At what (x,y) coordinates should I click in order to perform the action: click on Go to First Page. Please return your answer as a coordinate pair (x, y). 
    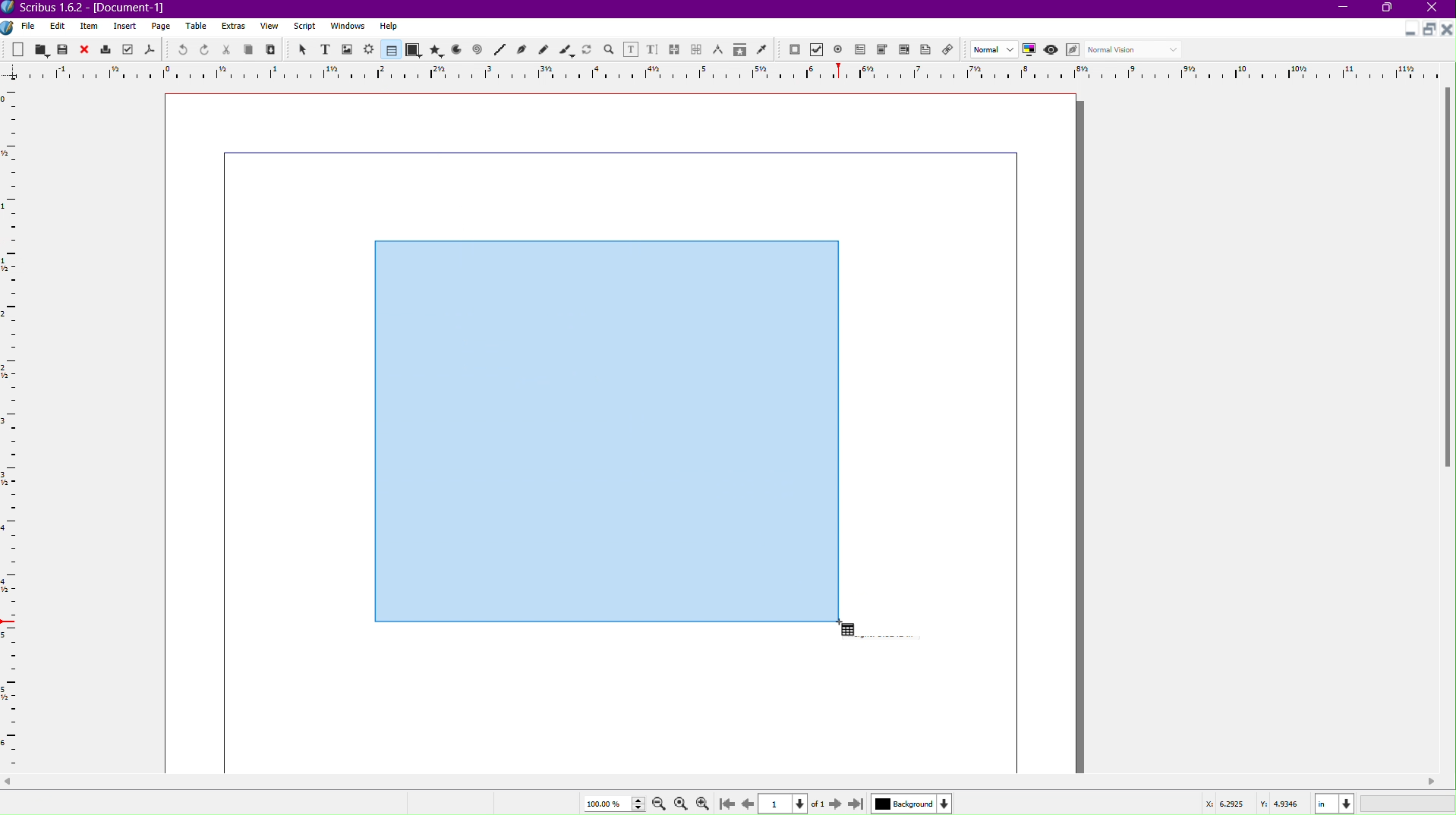
    Looking at the image, I should click on (730, 803).